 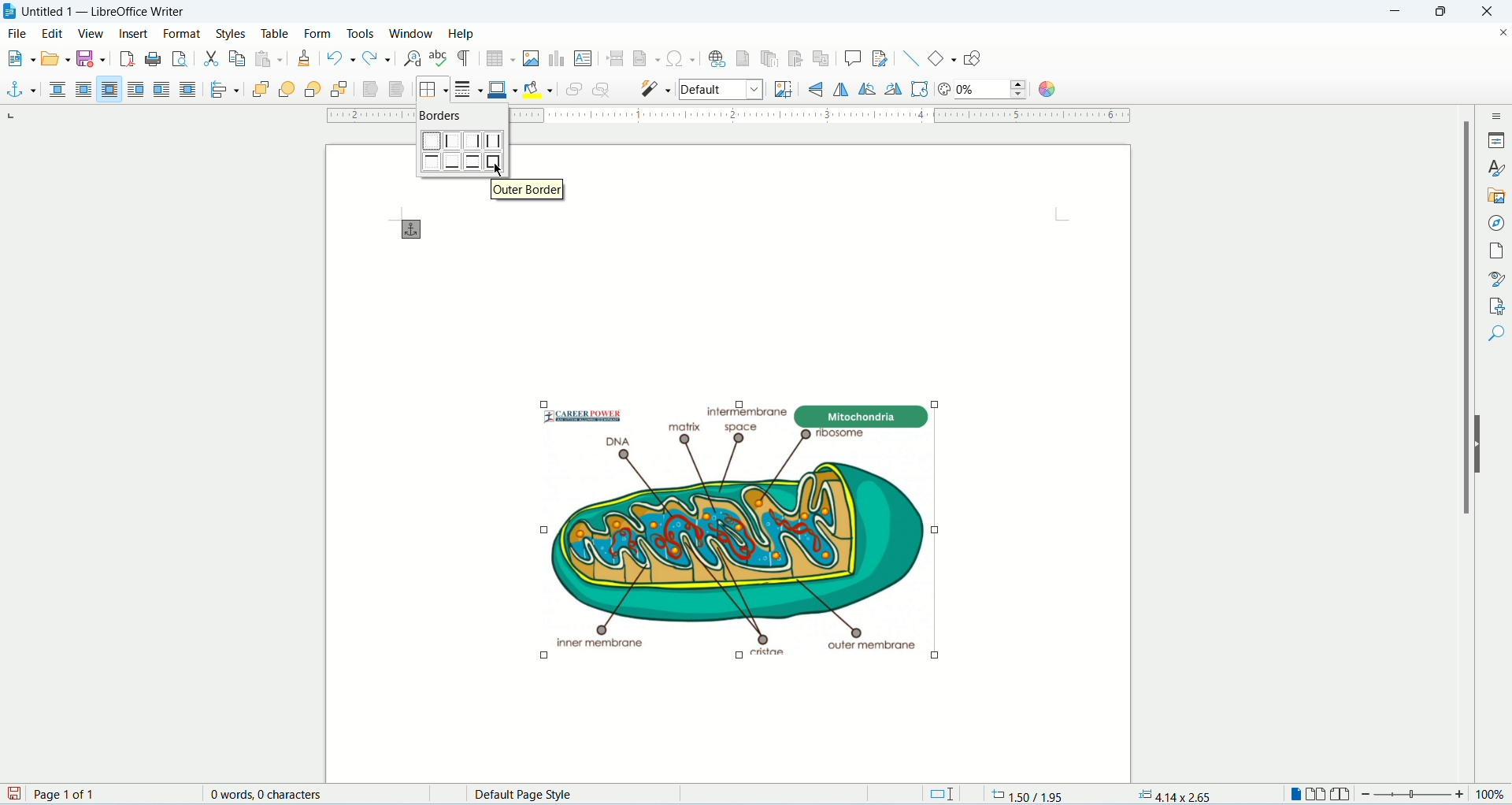 What do you see at coordinates (580, 795) in the screenshot?
I see `Default page style` at bounding box center [580, 795].